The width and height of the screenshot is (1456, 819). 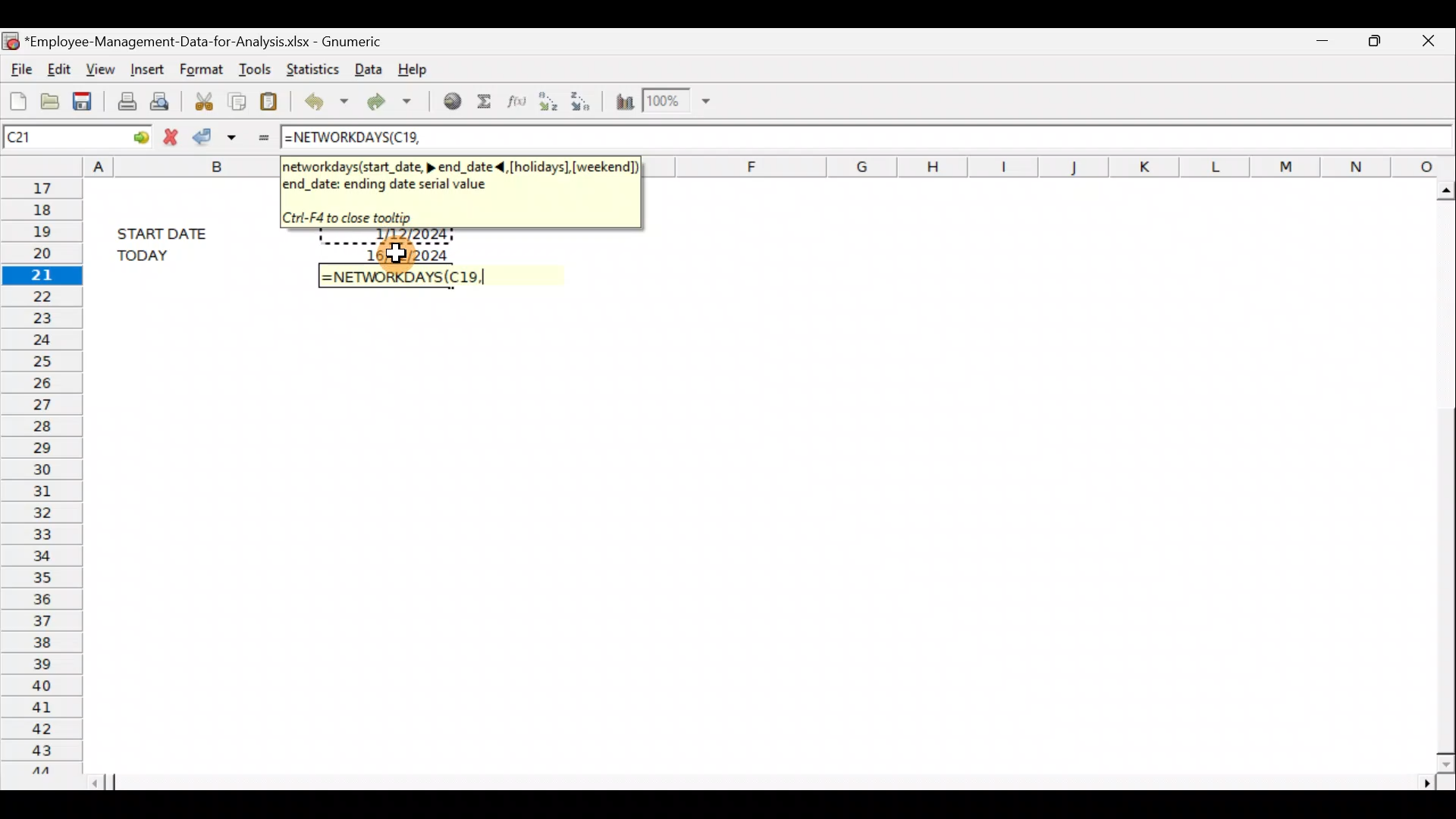 What do you see at coordinates (61, 69) in the screenshot?
I see `Edit` at bounding box center [61, 69].